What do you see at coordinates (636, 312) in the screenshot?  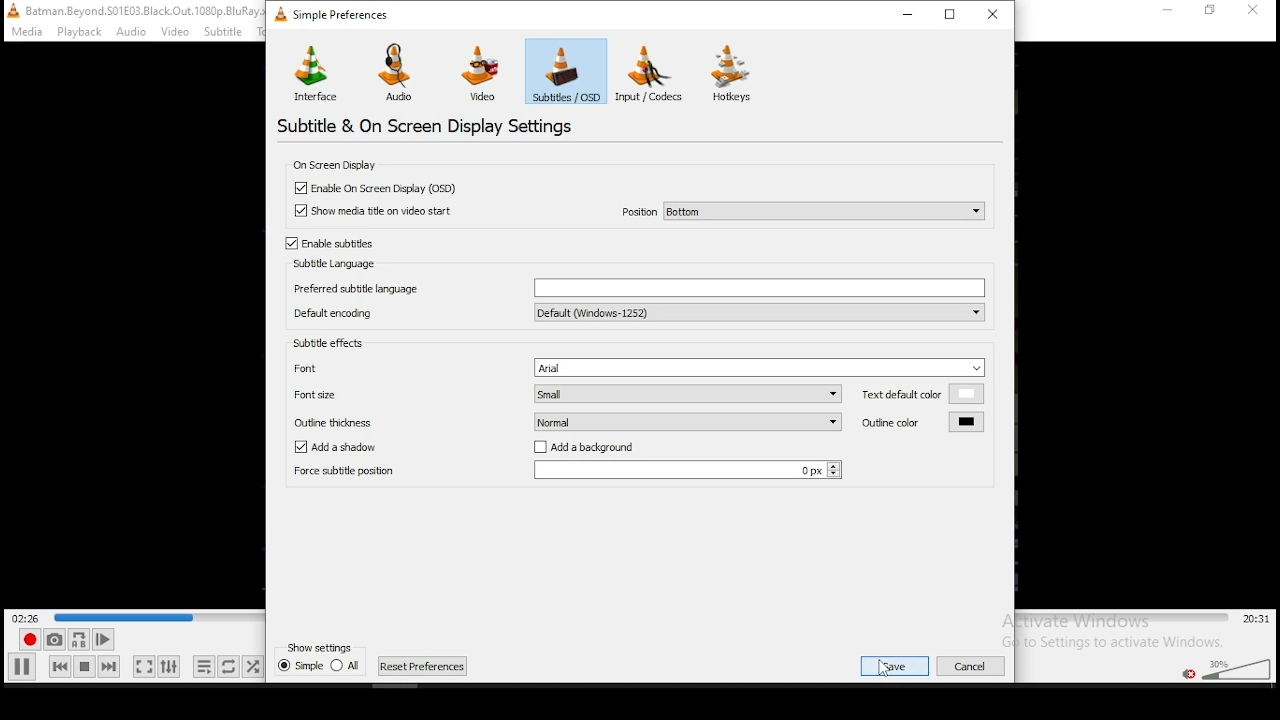 I see `default encoding` at bounding box center [636, 312].